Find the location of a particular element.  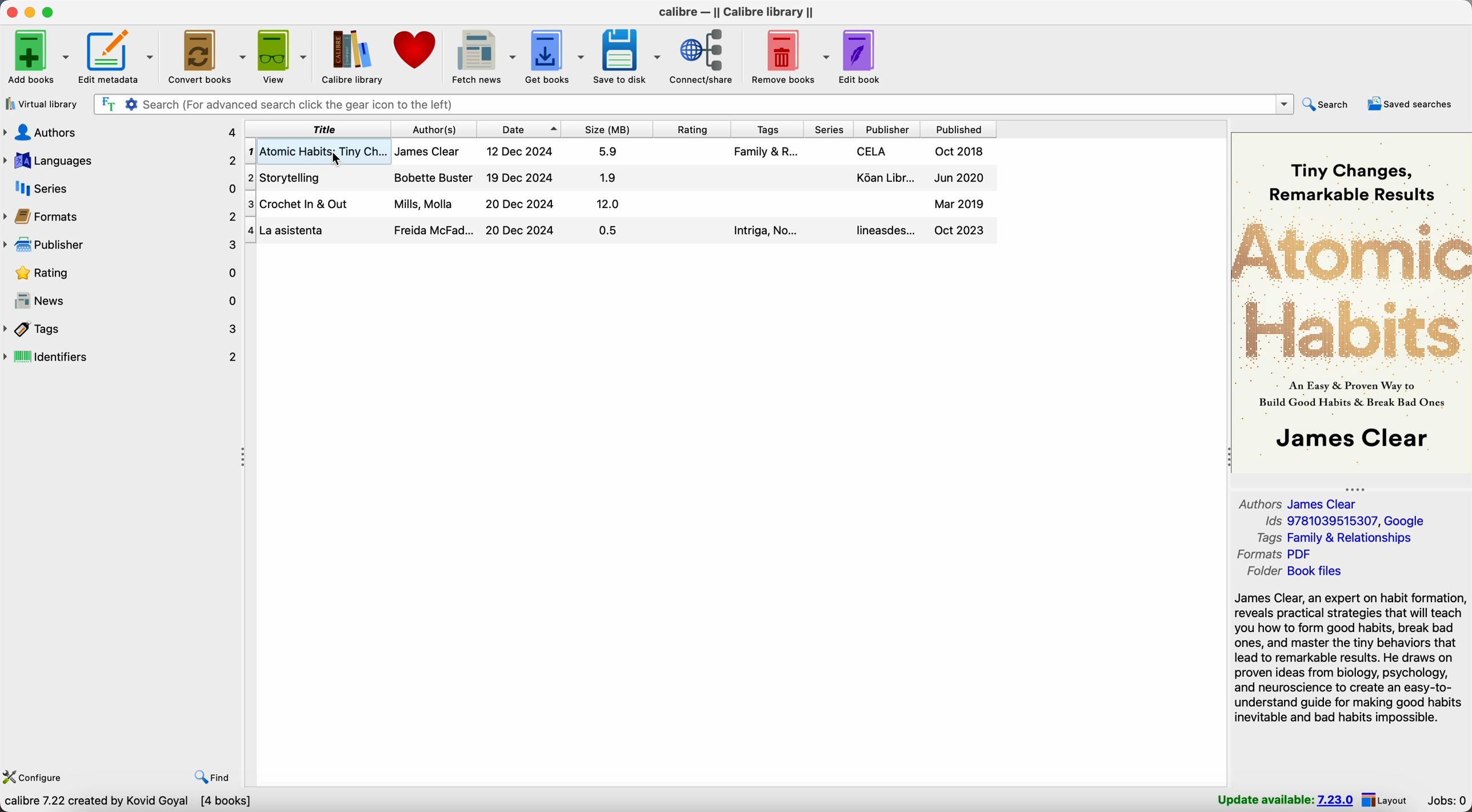

crochet in out book details is located at coordinates (619, 204).